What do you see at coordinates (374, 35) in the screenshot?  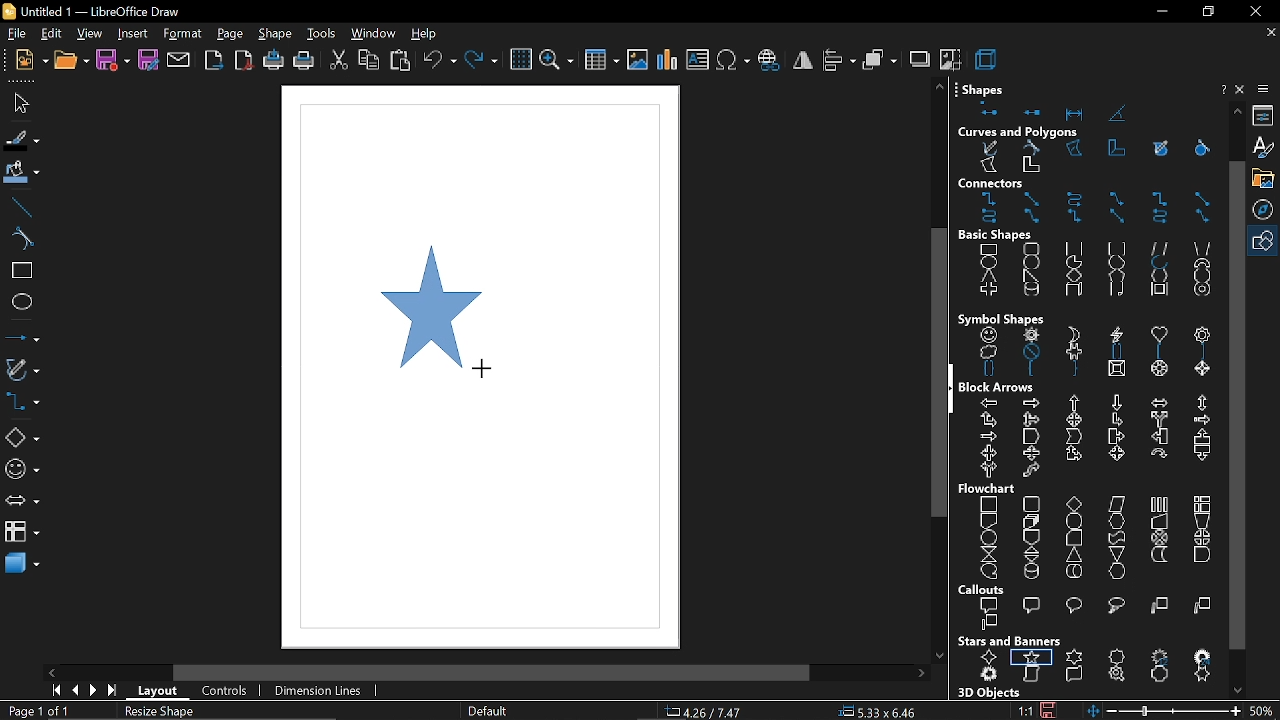 I see `window` at bounding box center [374, 35].